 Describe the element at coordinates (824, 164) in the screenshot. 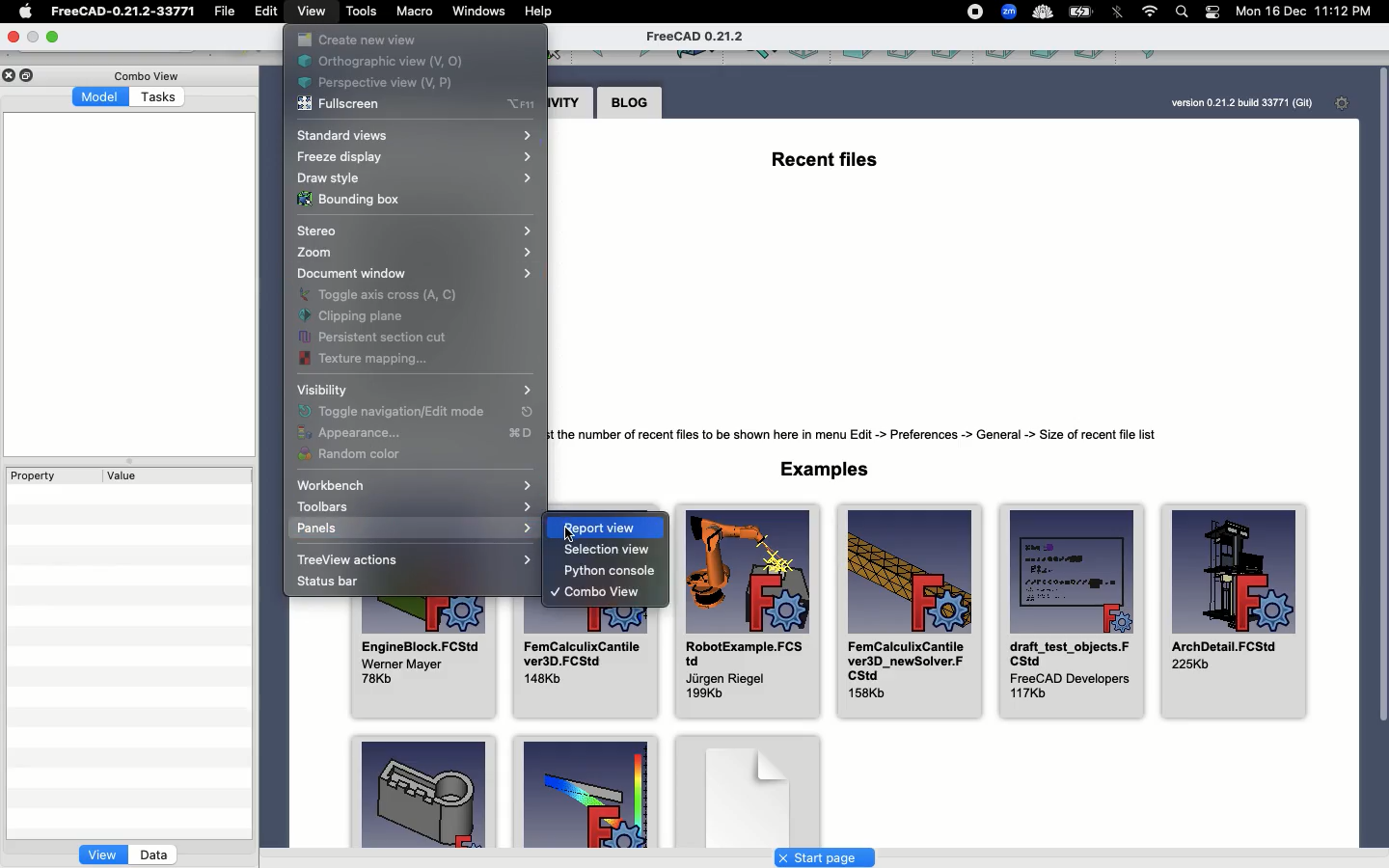

I see `Recent files` at that location.